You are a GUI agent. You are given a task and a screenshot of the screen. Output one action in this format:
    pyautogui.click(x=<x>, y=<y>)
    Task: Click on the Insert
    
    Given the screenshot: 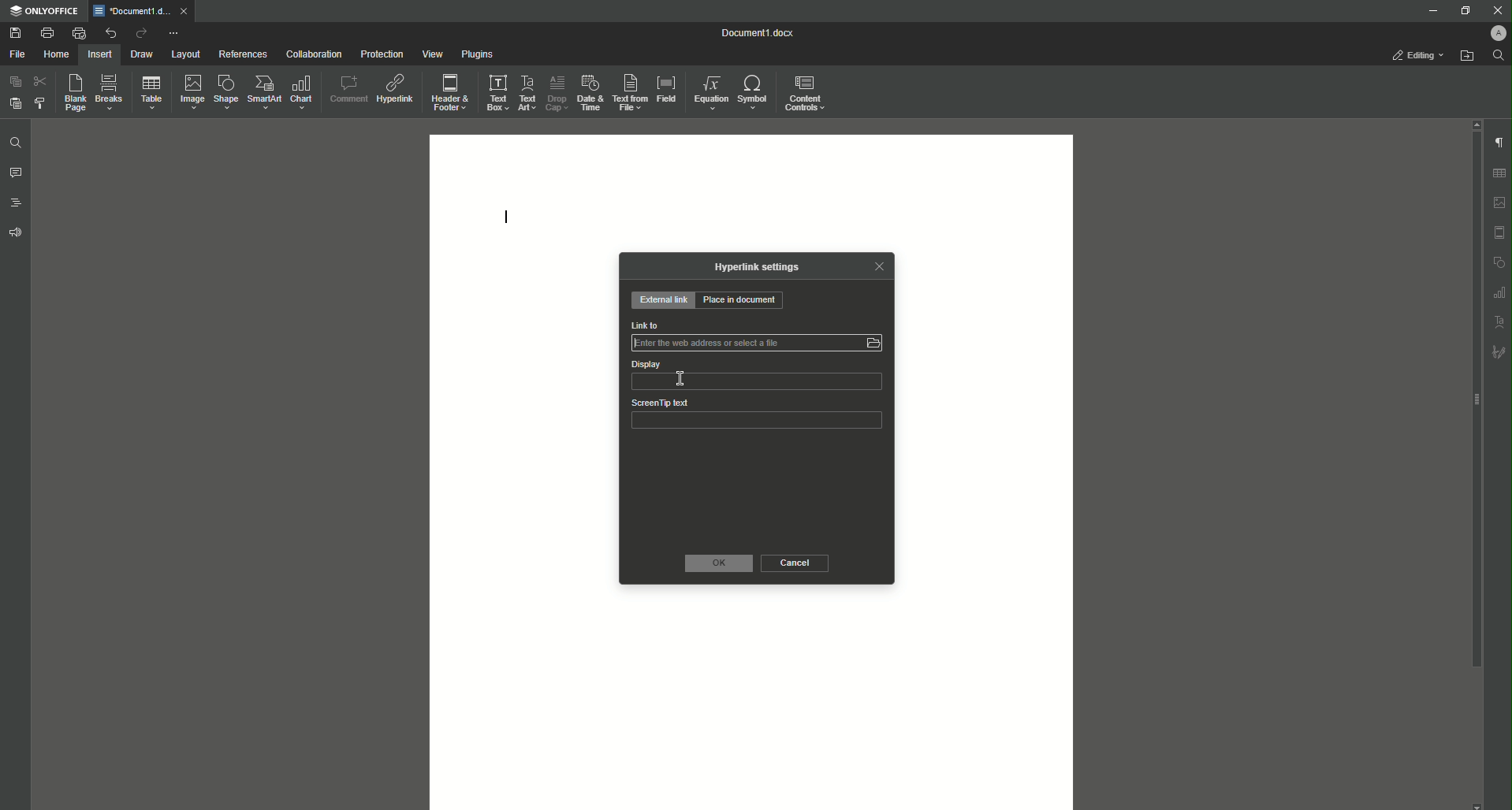 What is the action you would take?
    pyautogui.click(x=101, y=54)
    